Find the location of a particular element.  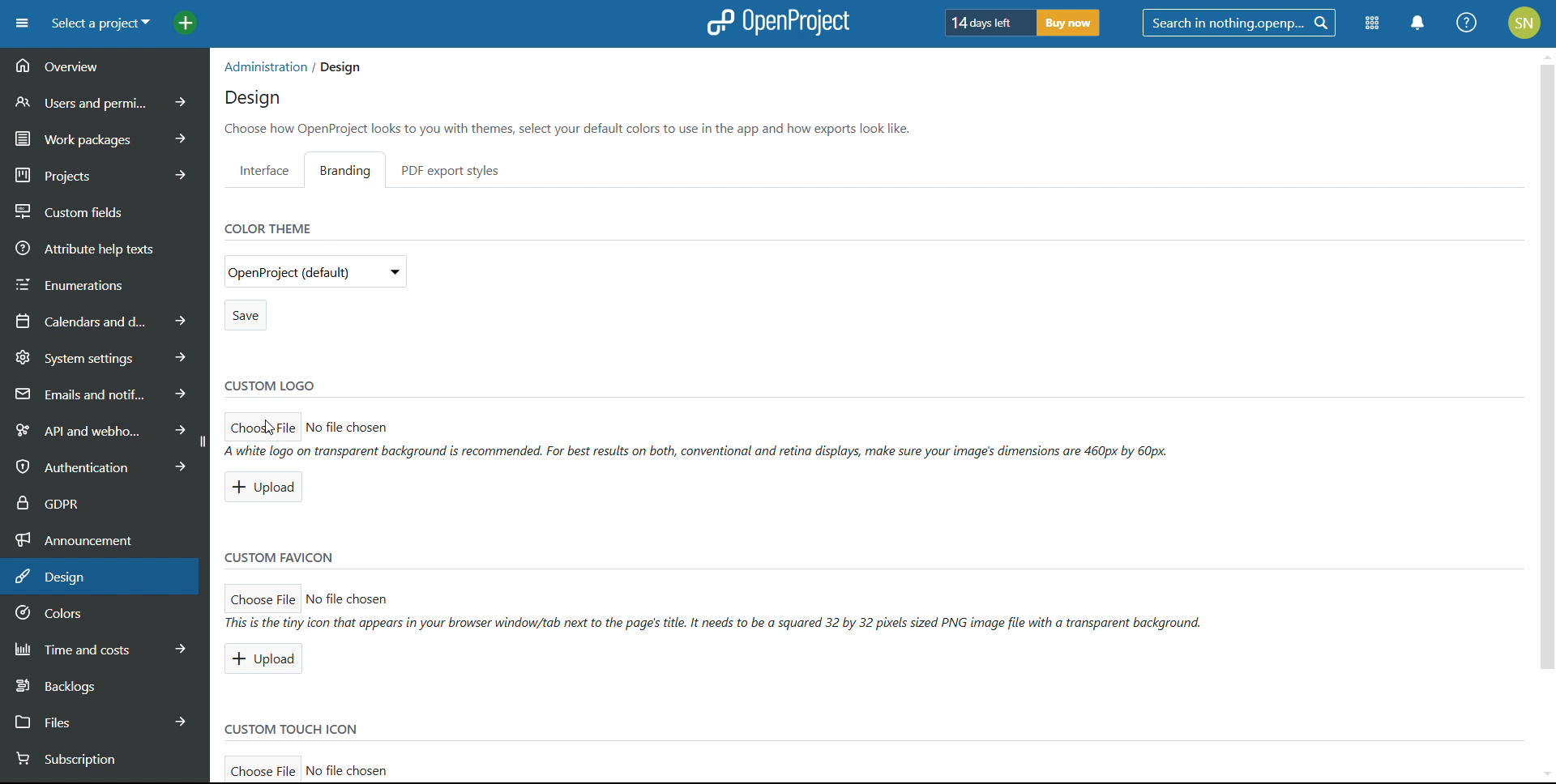

interface is located at coordinates (264, 169).